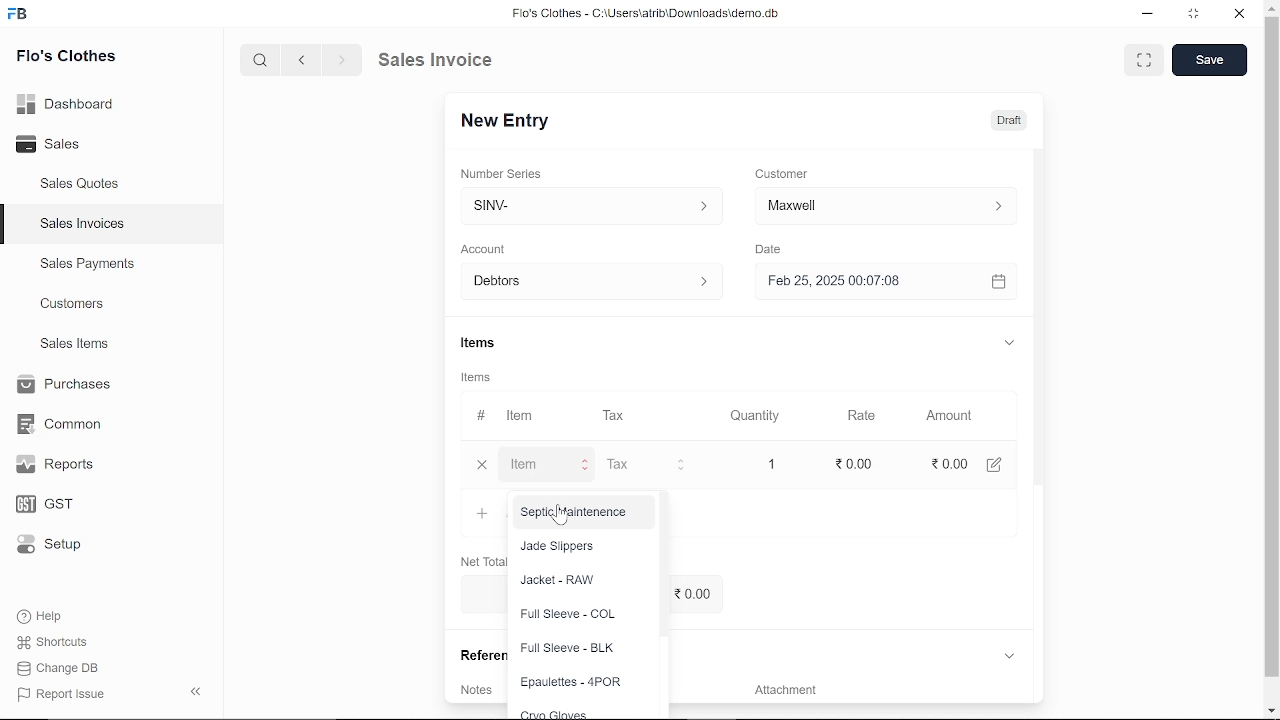  I want to click on  Sales Invoice, so click(446, 61).